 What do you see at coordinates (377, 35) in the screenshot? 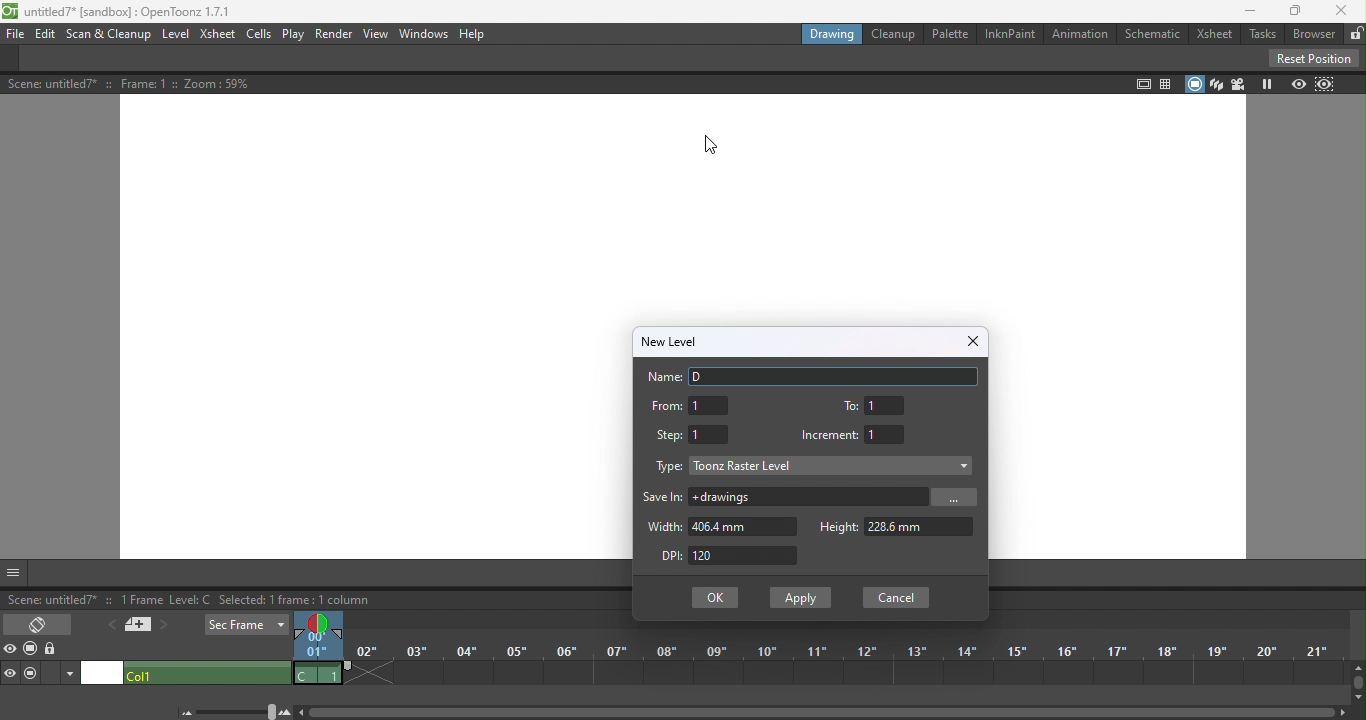
I see `View` at bounding box center [377, 35].